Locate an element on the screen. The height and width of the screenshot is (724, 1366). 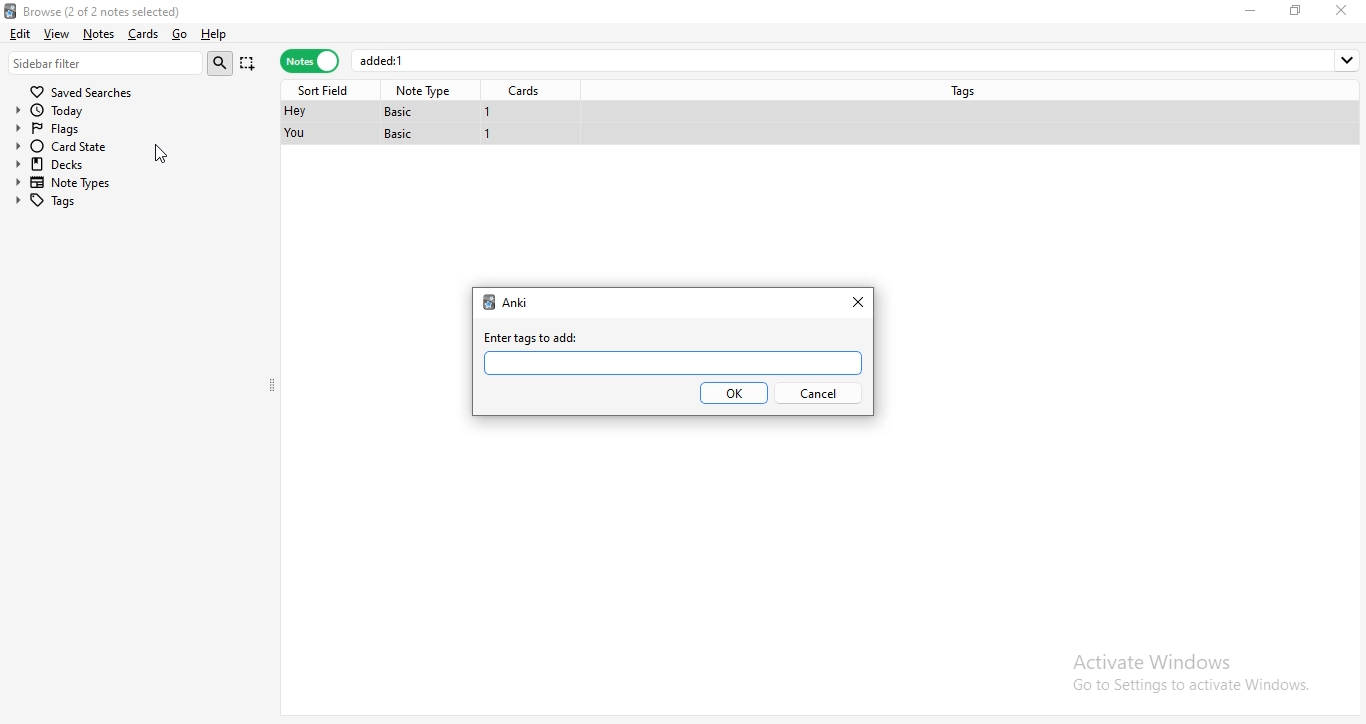
enter tags to add: is located at coordinates (533, 338).